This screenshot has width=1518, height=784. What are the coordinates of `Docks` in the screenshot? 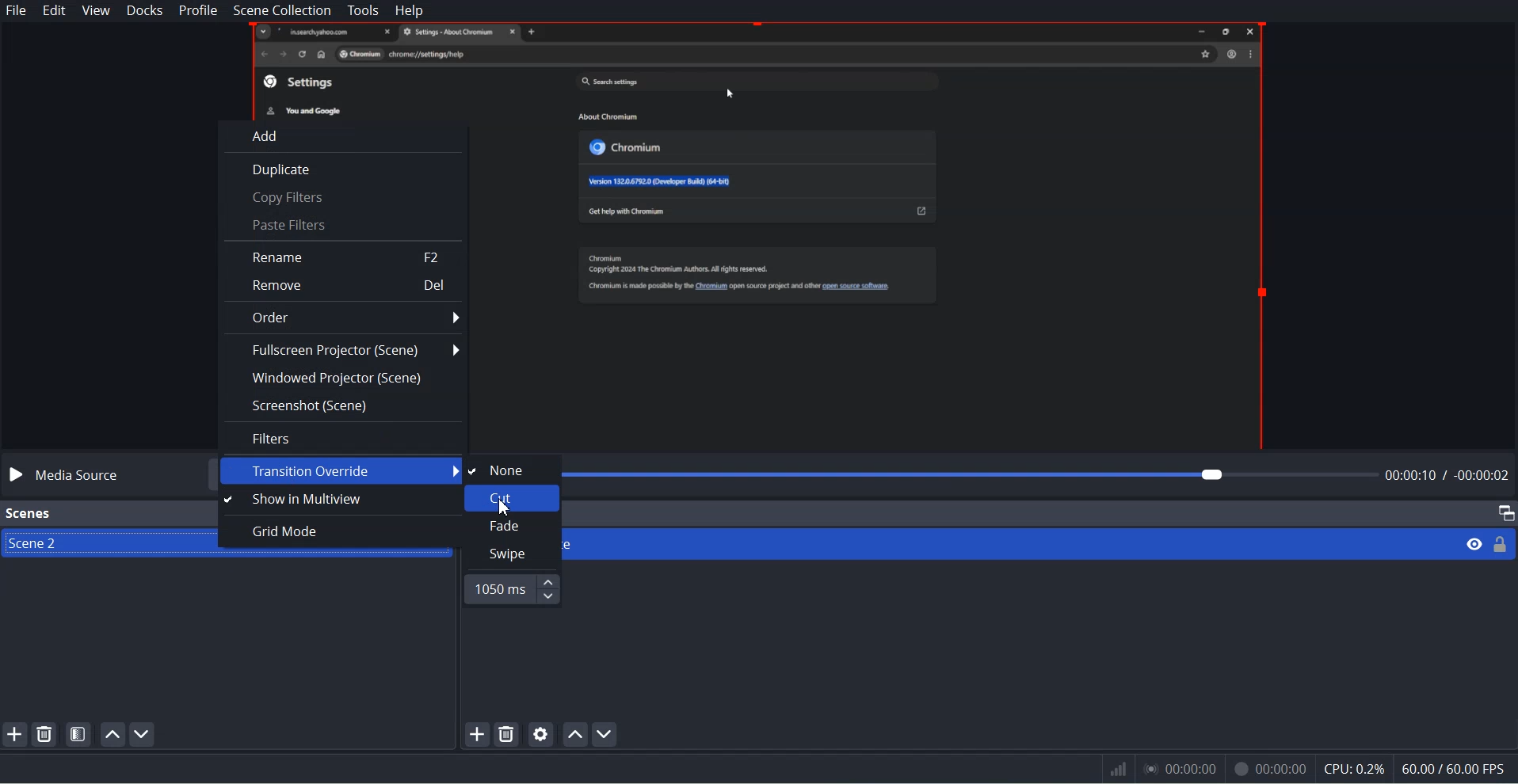 It's located at (144, 11).